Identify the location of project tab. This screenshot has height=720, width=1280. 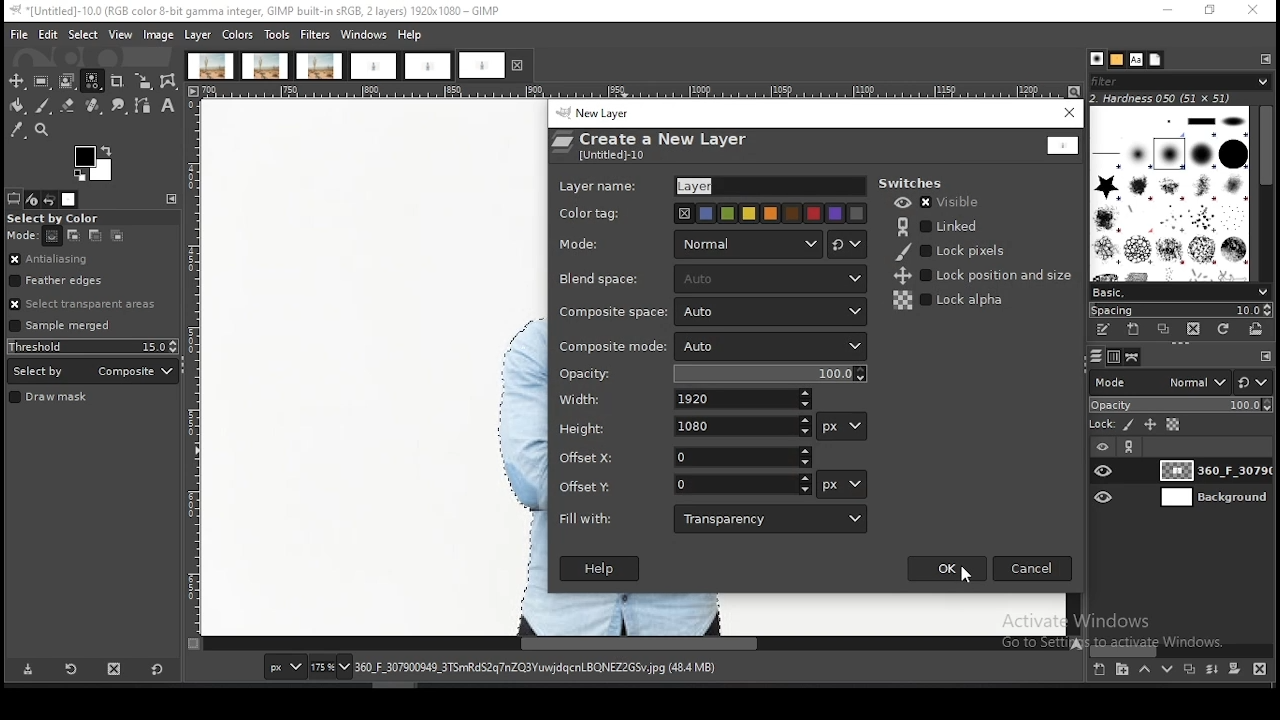
(266, 66).